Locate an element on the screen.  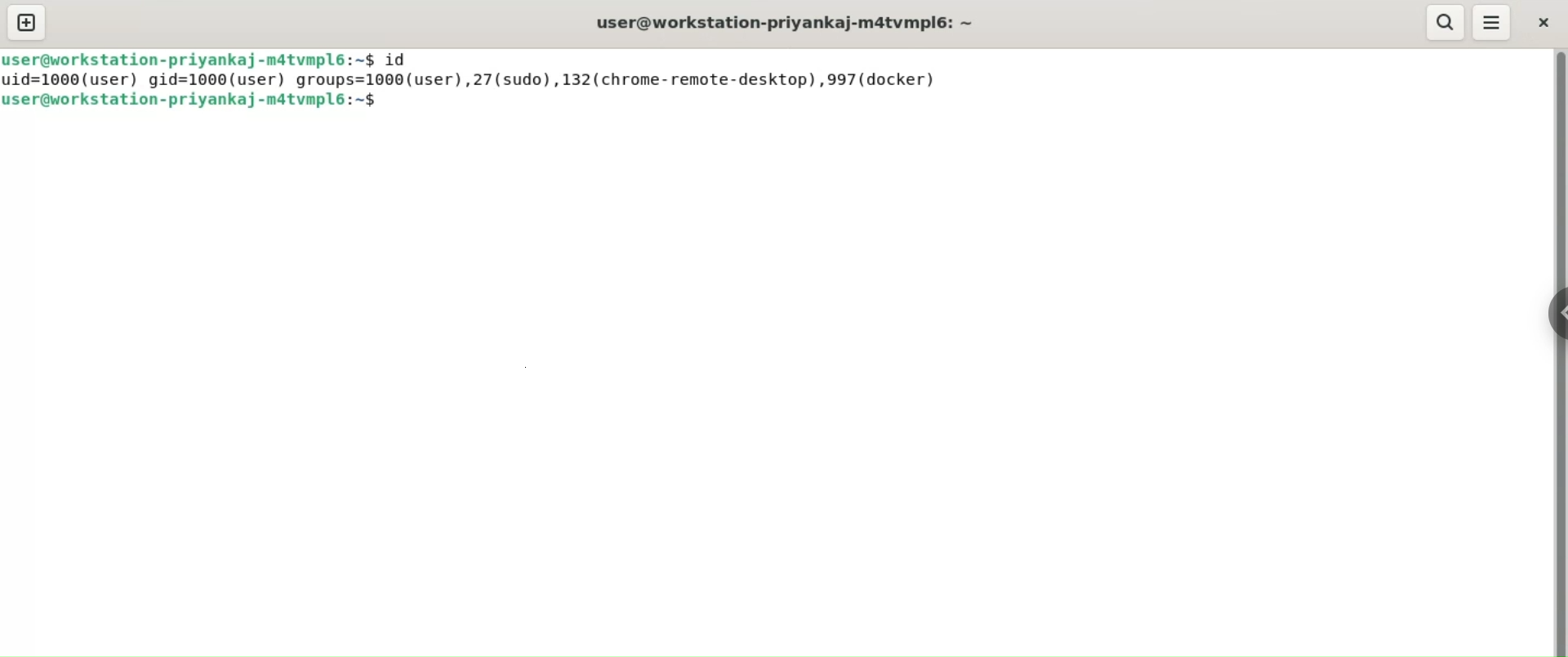
scroll bar is located at coordinates (1558, 353).